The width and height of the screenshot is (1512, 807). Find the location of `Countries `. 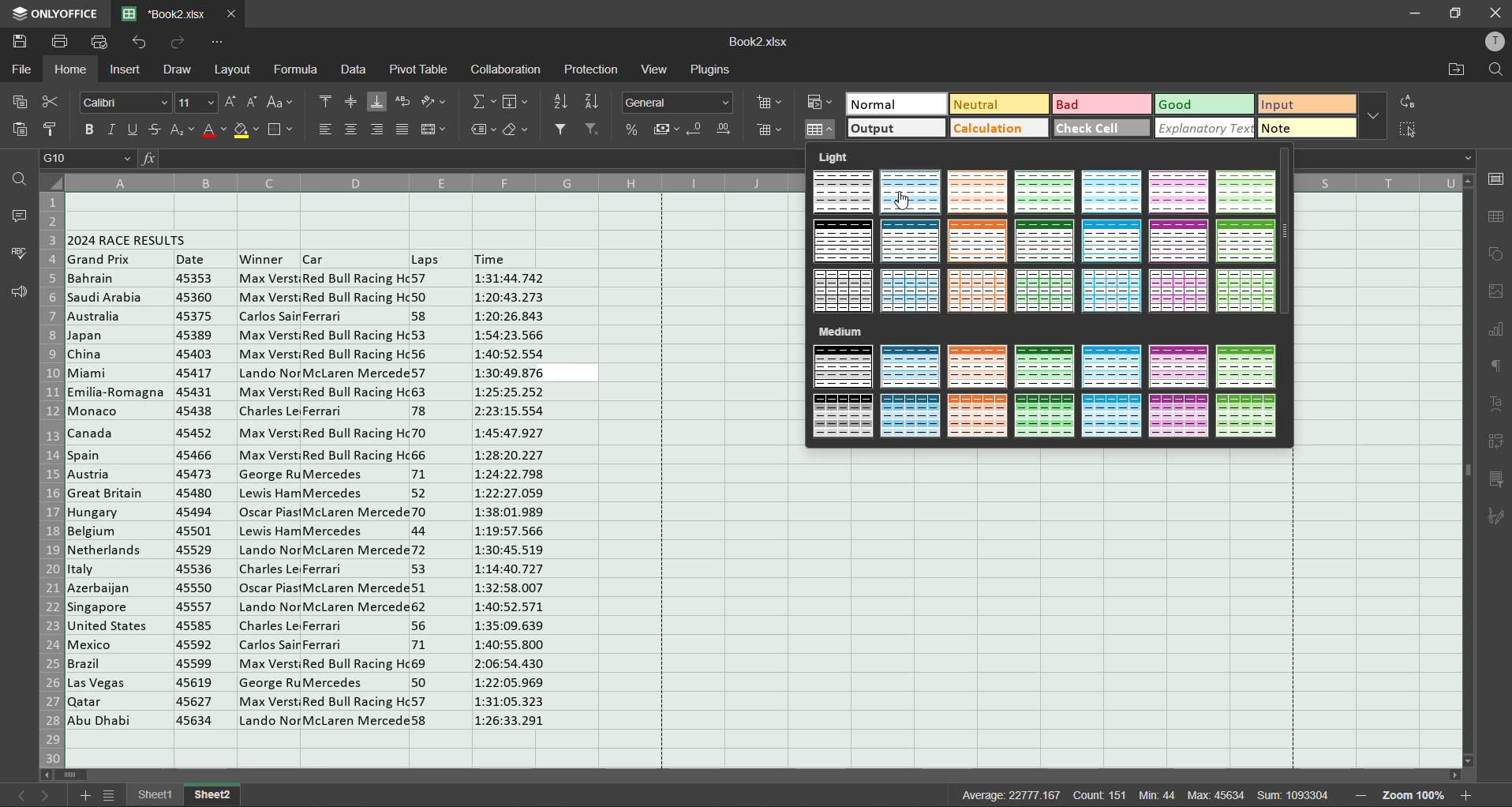

Countries  is located at coordinates (118, 501).